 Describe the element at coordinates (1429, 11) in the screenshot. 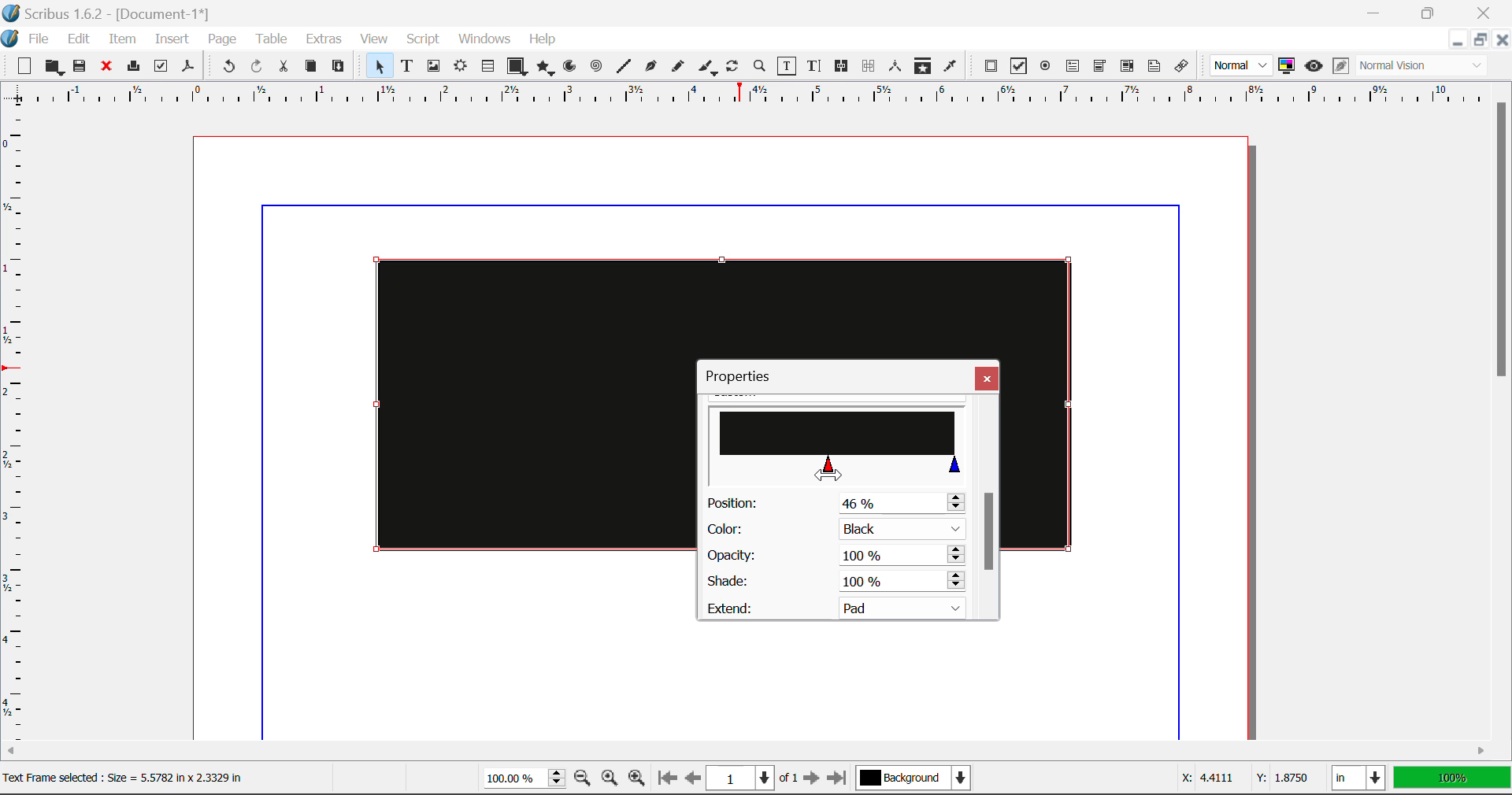

I see `Minimize` at that location.